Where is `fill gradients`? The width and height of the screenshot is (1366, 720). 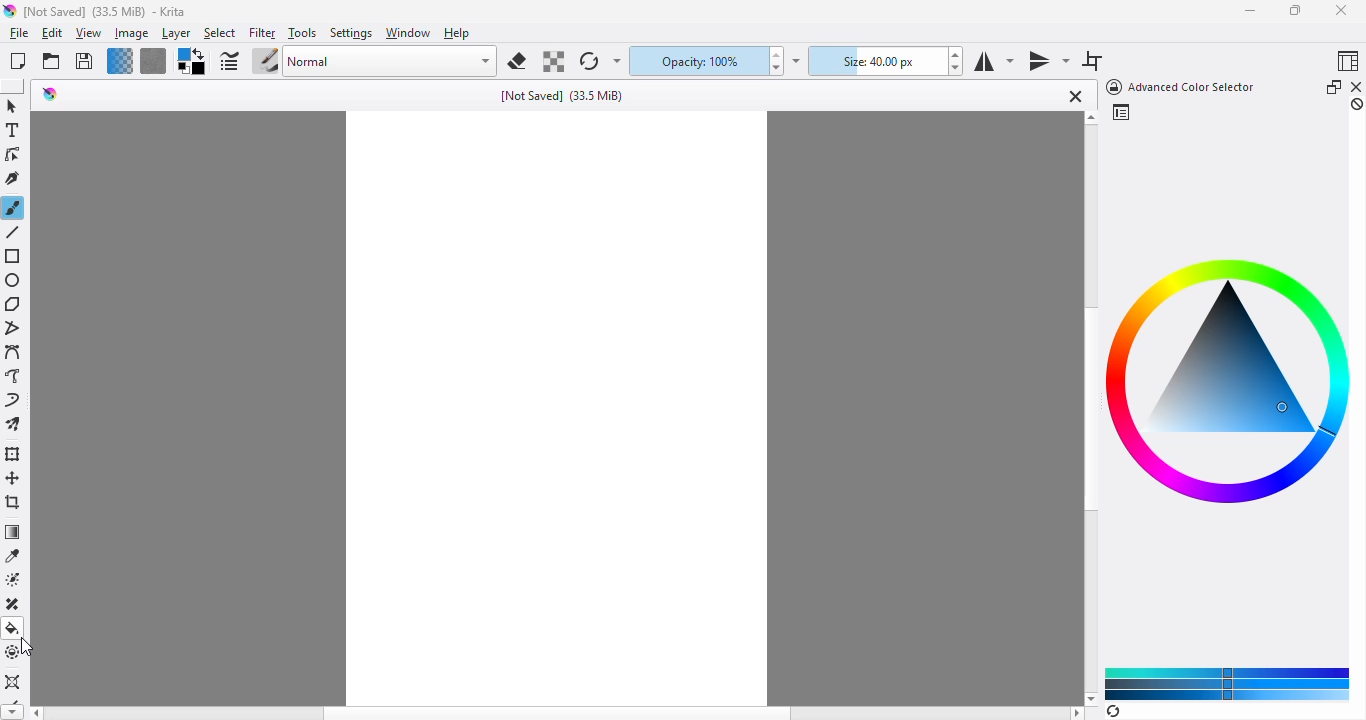
fill gradients is located at coordinates (120, 61).